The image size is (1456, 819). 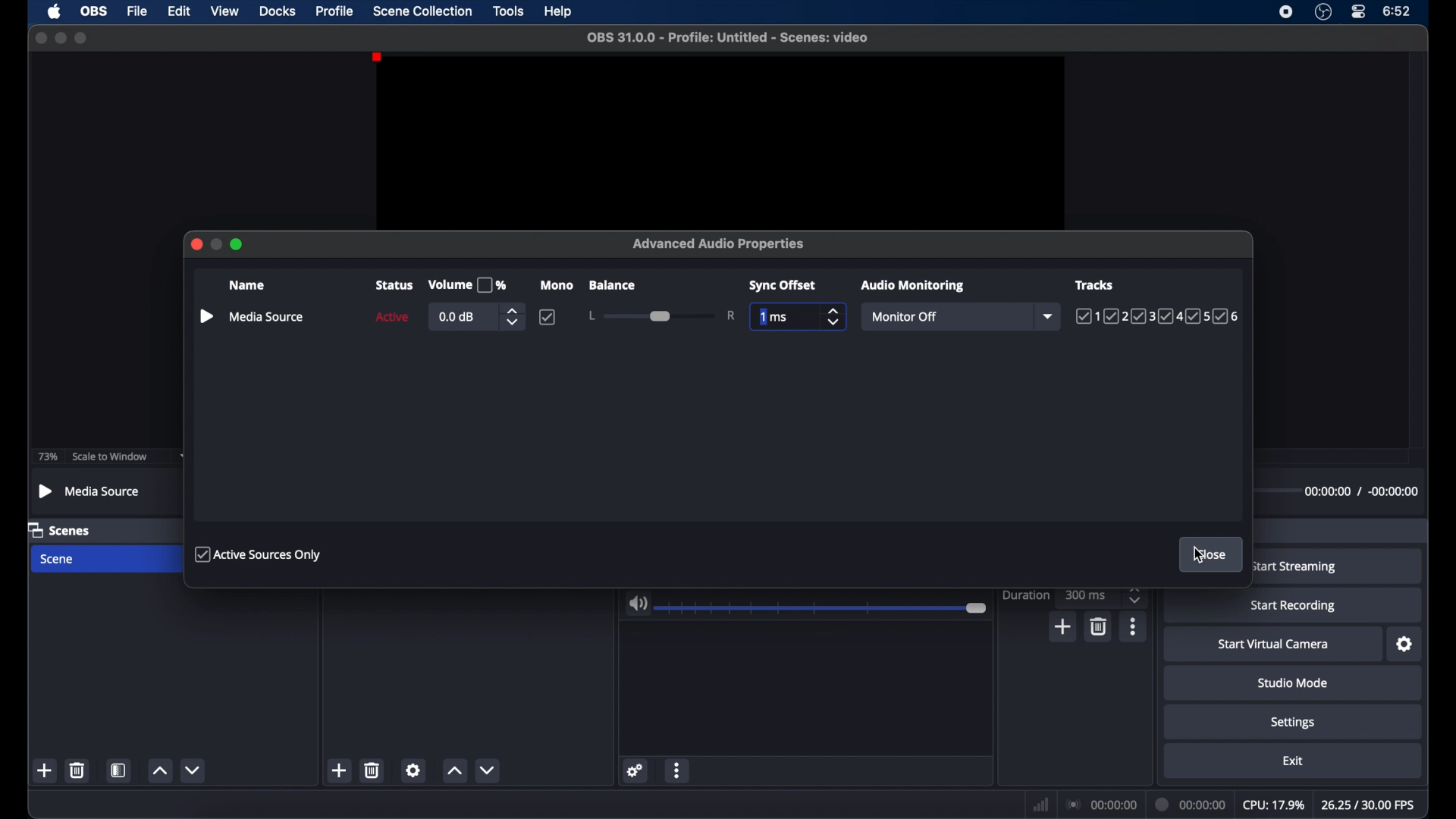 What do you see at coordinates (1191, 805) in the screenshot?
I see `duration` at bounding box center [1191, 805].